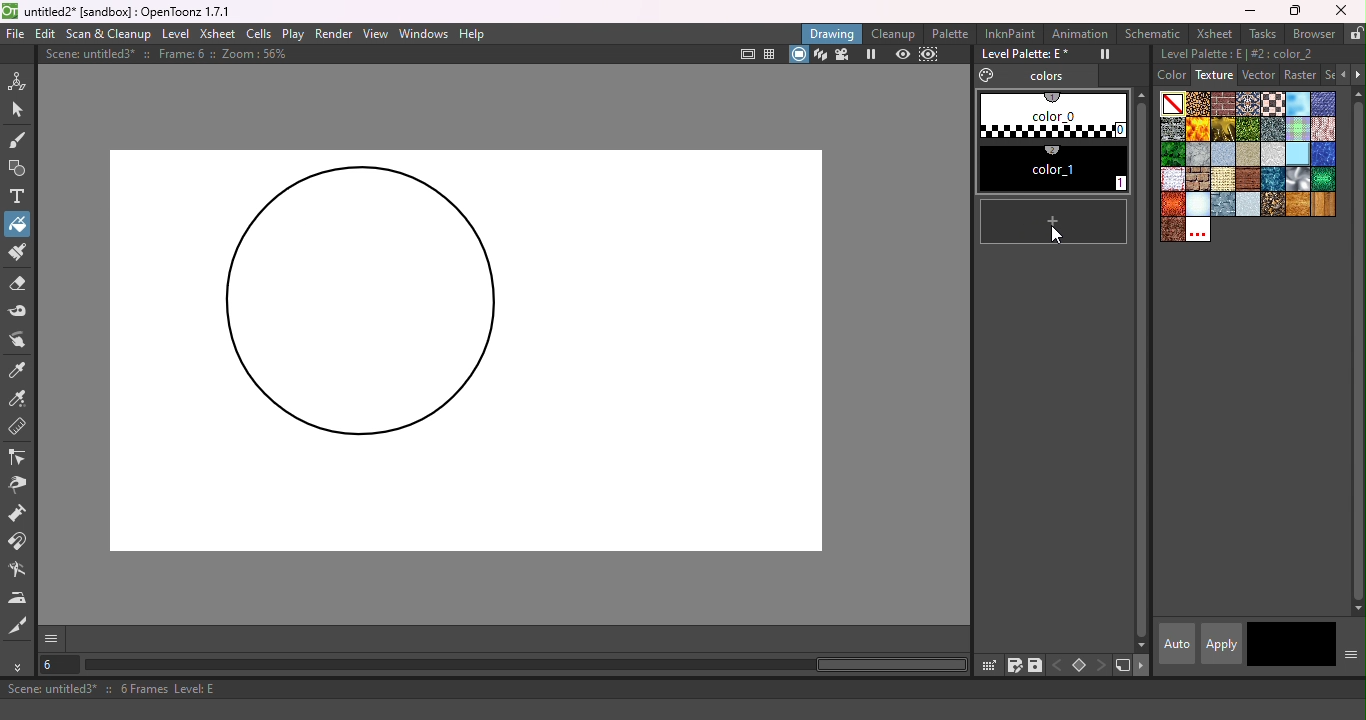 Image resolution: width=1366 pixels, height=720 pixels. What do you see at coordinates (20, 598) in the screenshot?
I see `Iron tool` at bounding box center [20, 598].